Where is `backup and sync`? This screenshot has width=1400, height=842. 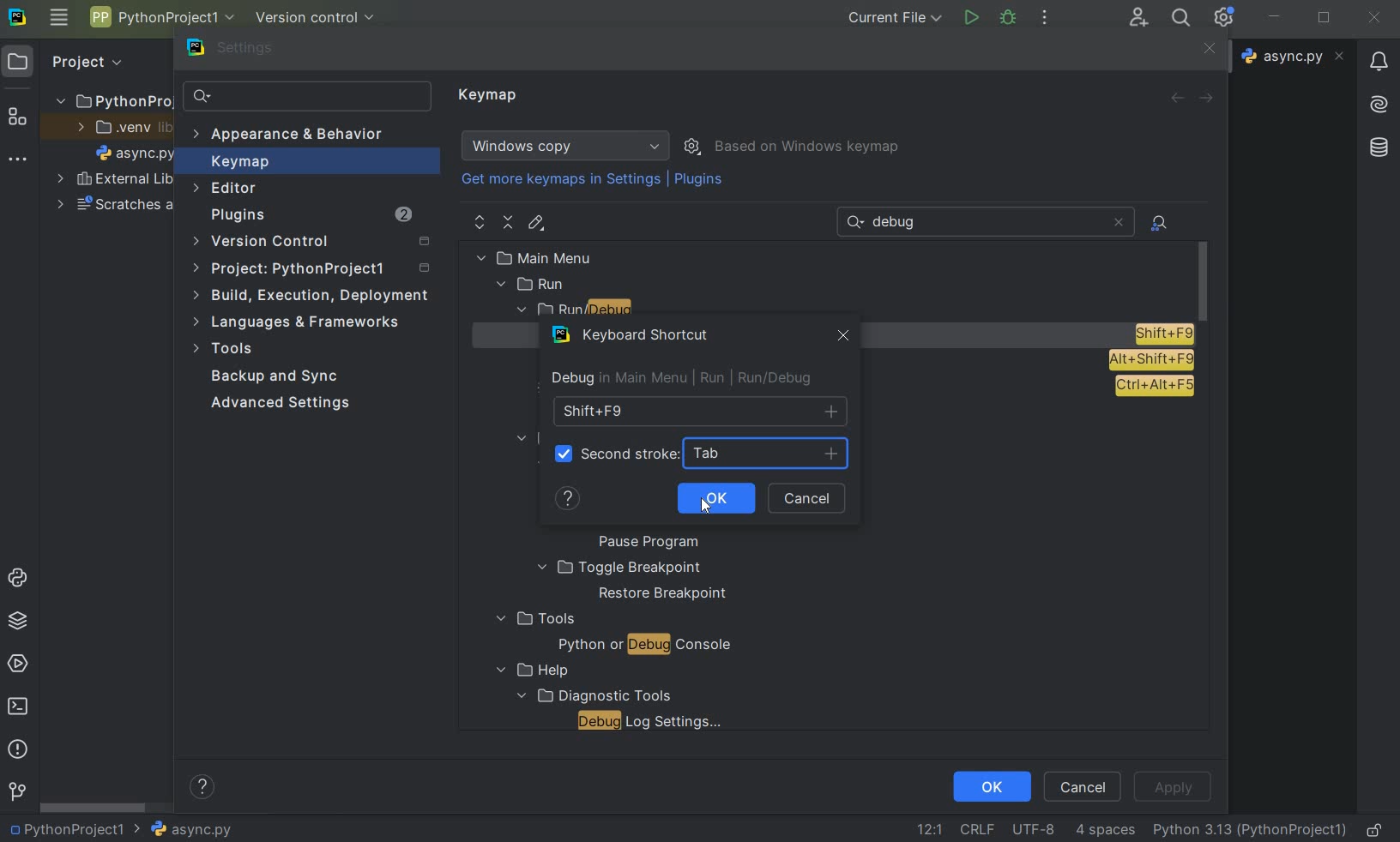
backup and sync is located at coordinates (275, 378).